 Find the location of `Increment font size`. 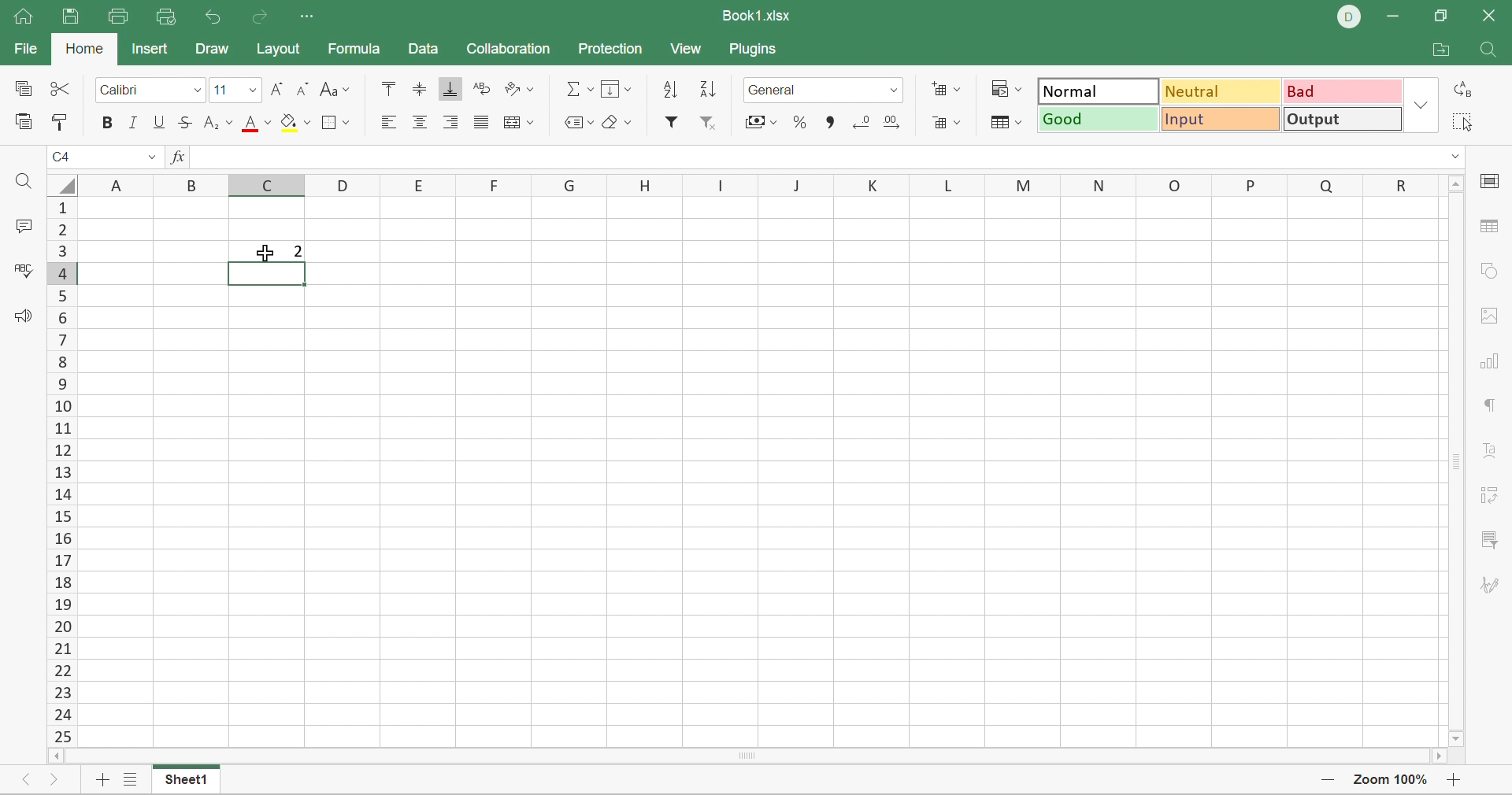

Increment font size is located at coordinates (278, 89).